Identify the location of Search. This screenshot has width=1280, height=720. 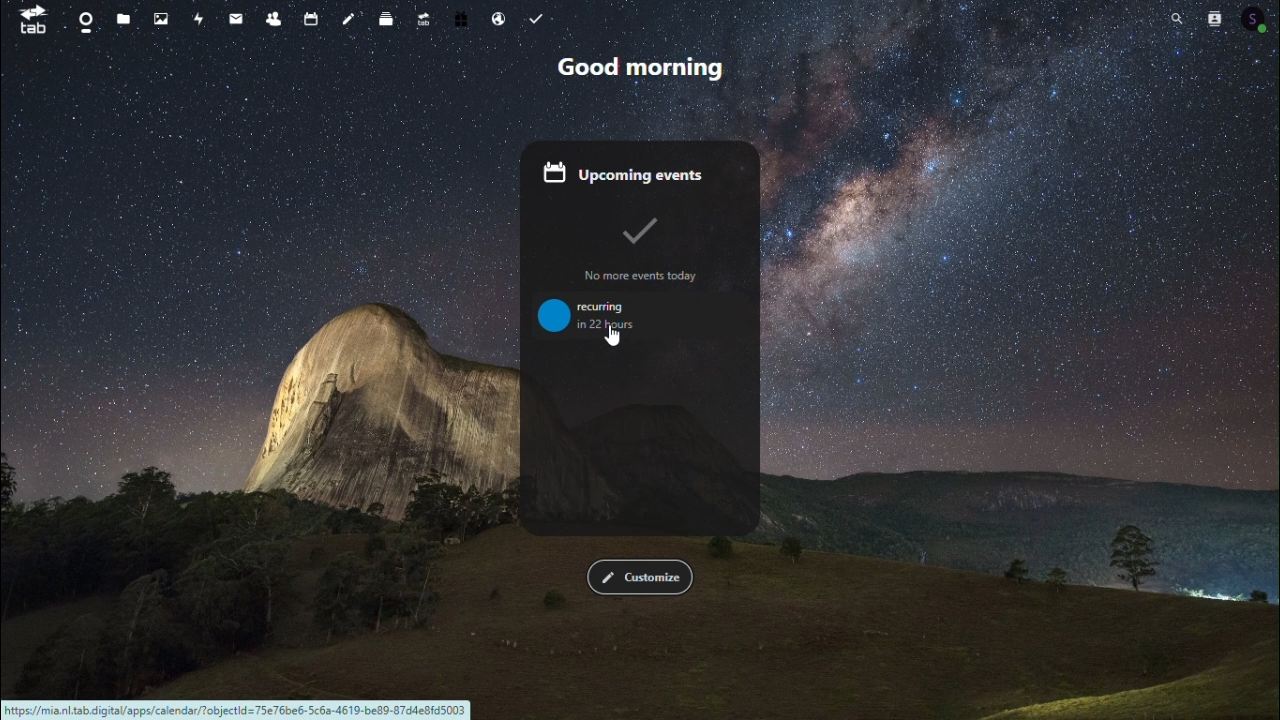
(1175, 15).